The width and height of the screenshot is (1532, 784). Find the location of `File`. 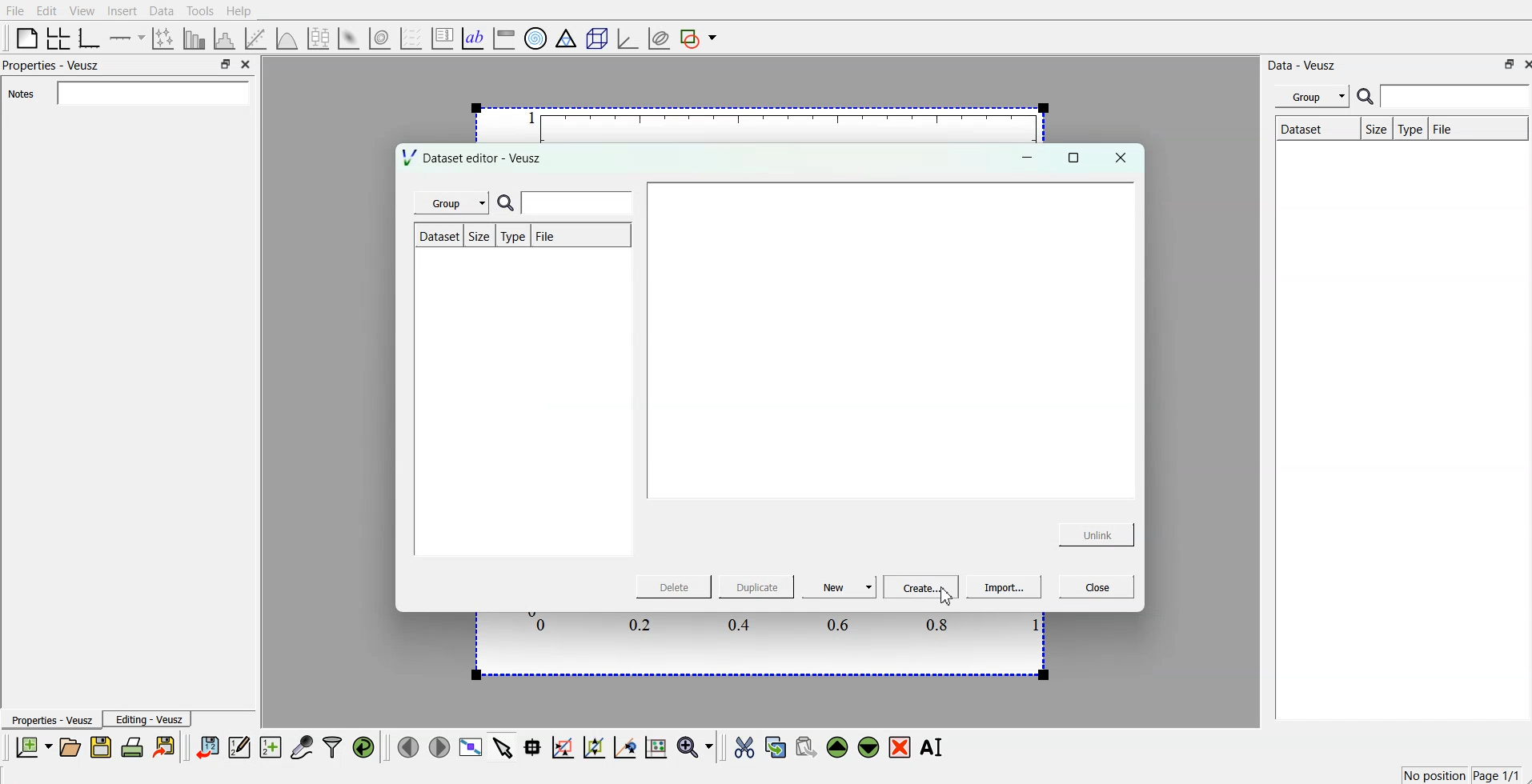

File is located at coordinates (562, 236).